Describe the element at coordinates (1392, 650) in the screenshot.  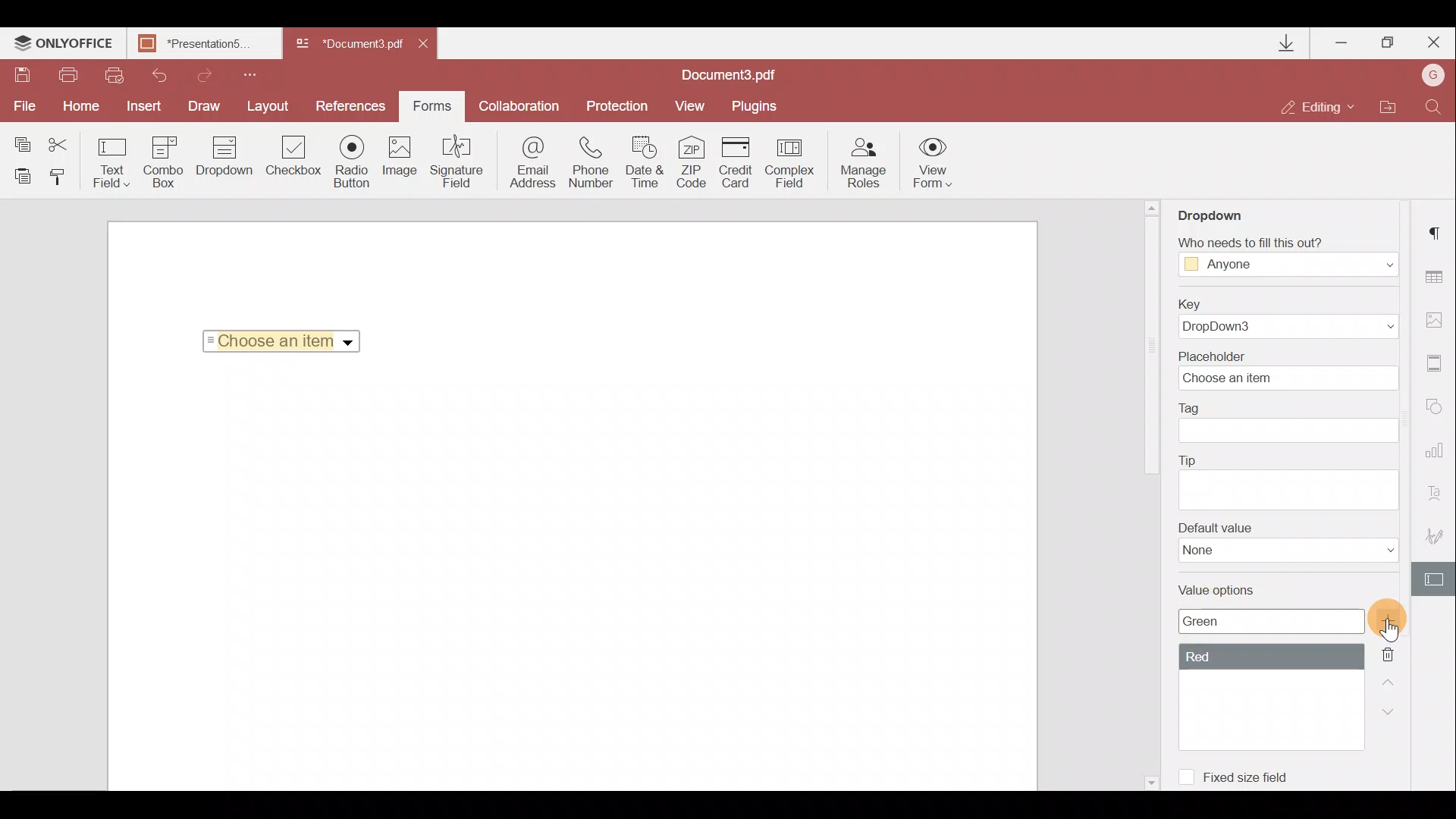
I see `Remove` at that location.